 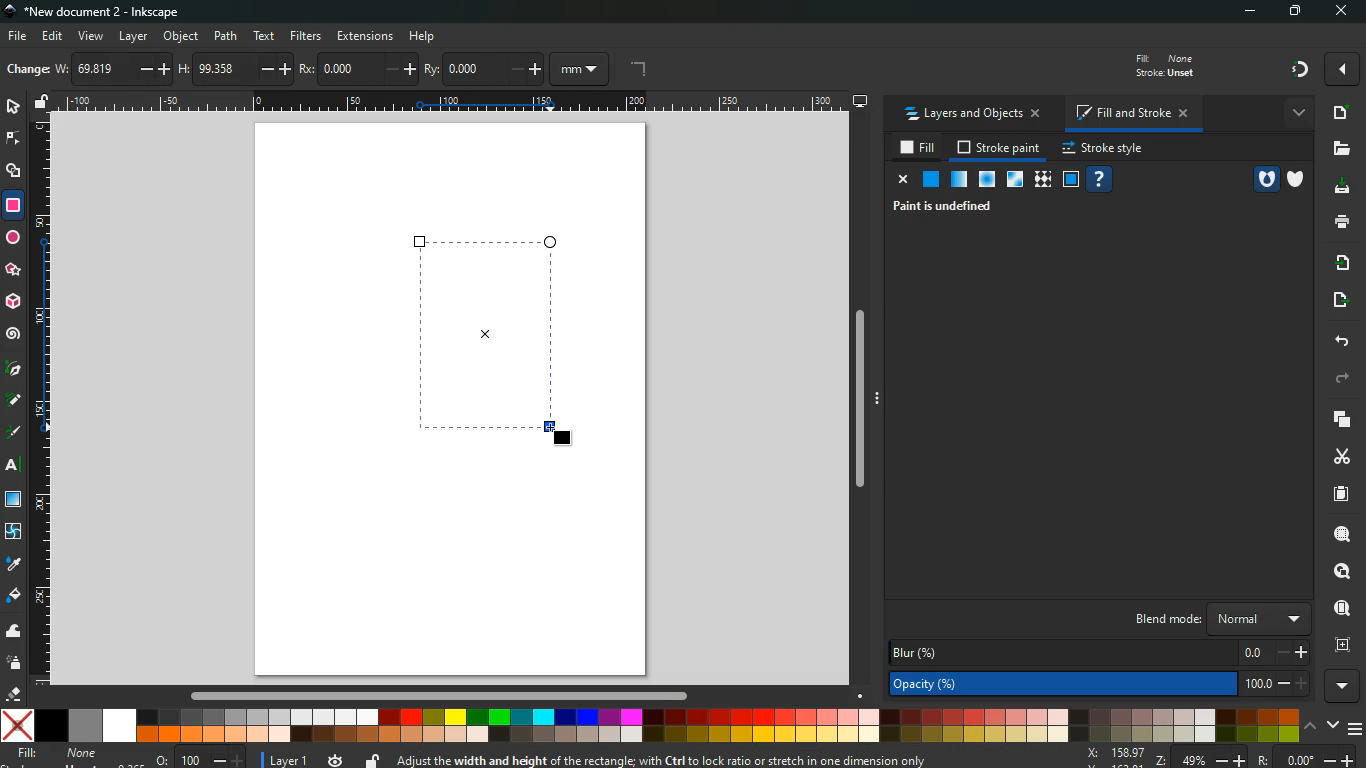 I want to click on find, so click(x=1338, y=607).